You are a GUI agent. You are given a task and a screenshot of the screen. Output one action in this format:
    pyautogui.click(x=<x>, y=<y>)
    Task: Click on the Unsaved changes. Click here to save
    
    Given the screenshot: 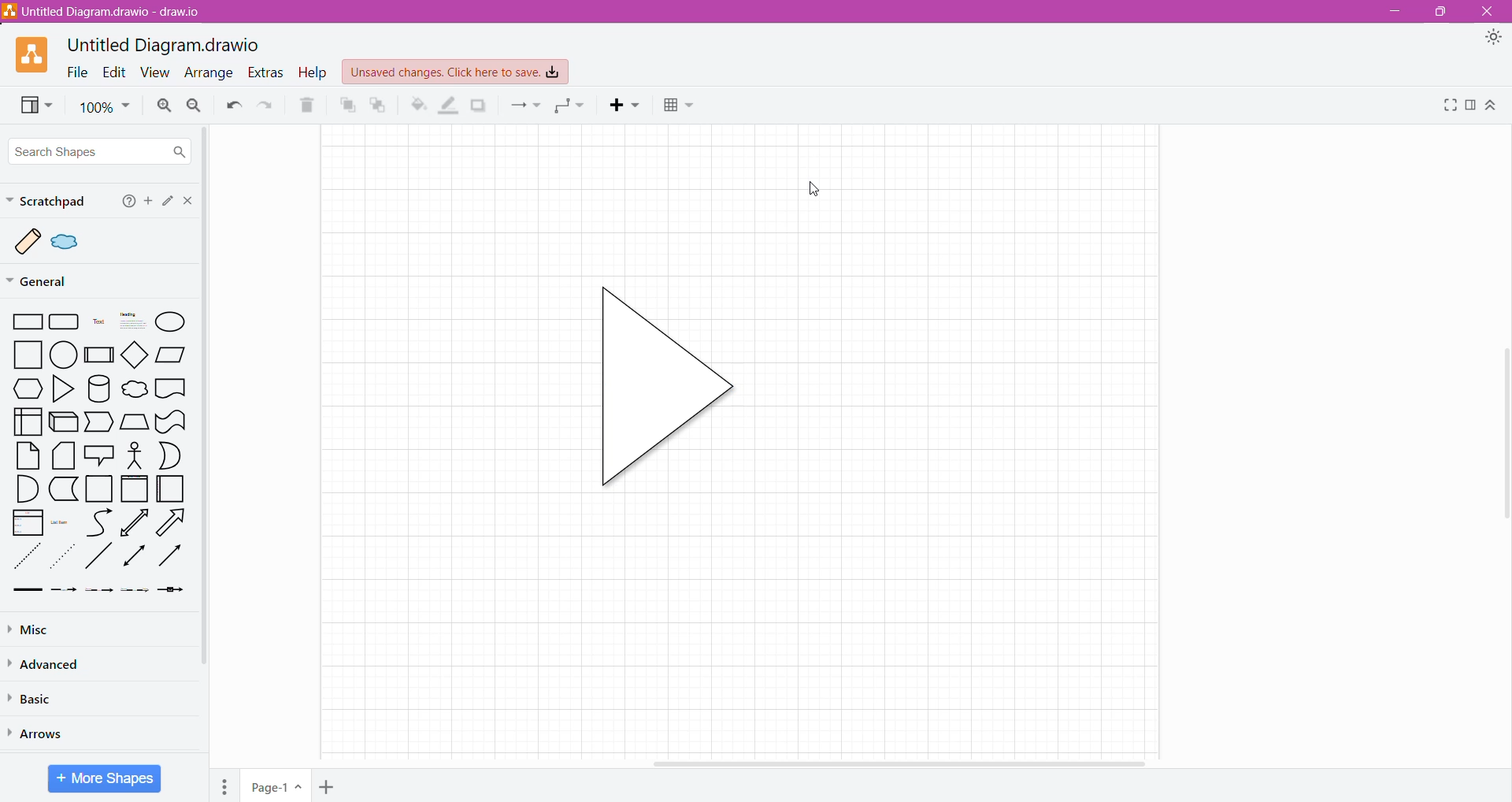 What is the action you would take?
    pyautogui.click(x=454, y=72)
    